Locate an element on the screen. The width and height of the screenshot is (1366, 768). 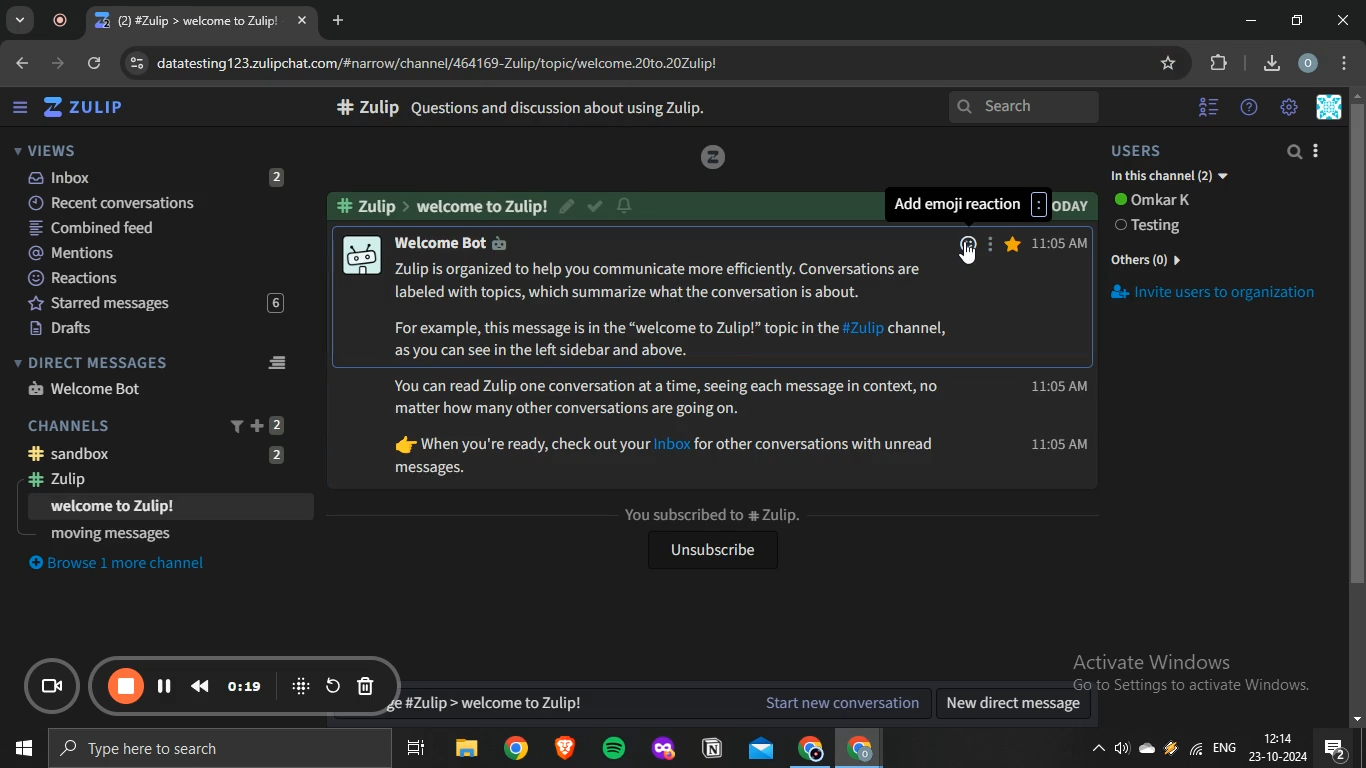
restore window is located at coordinates (1299, 20).